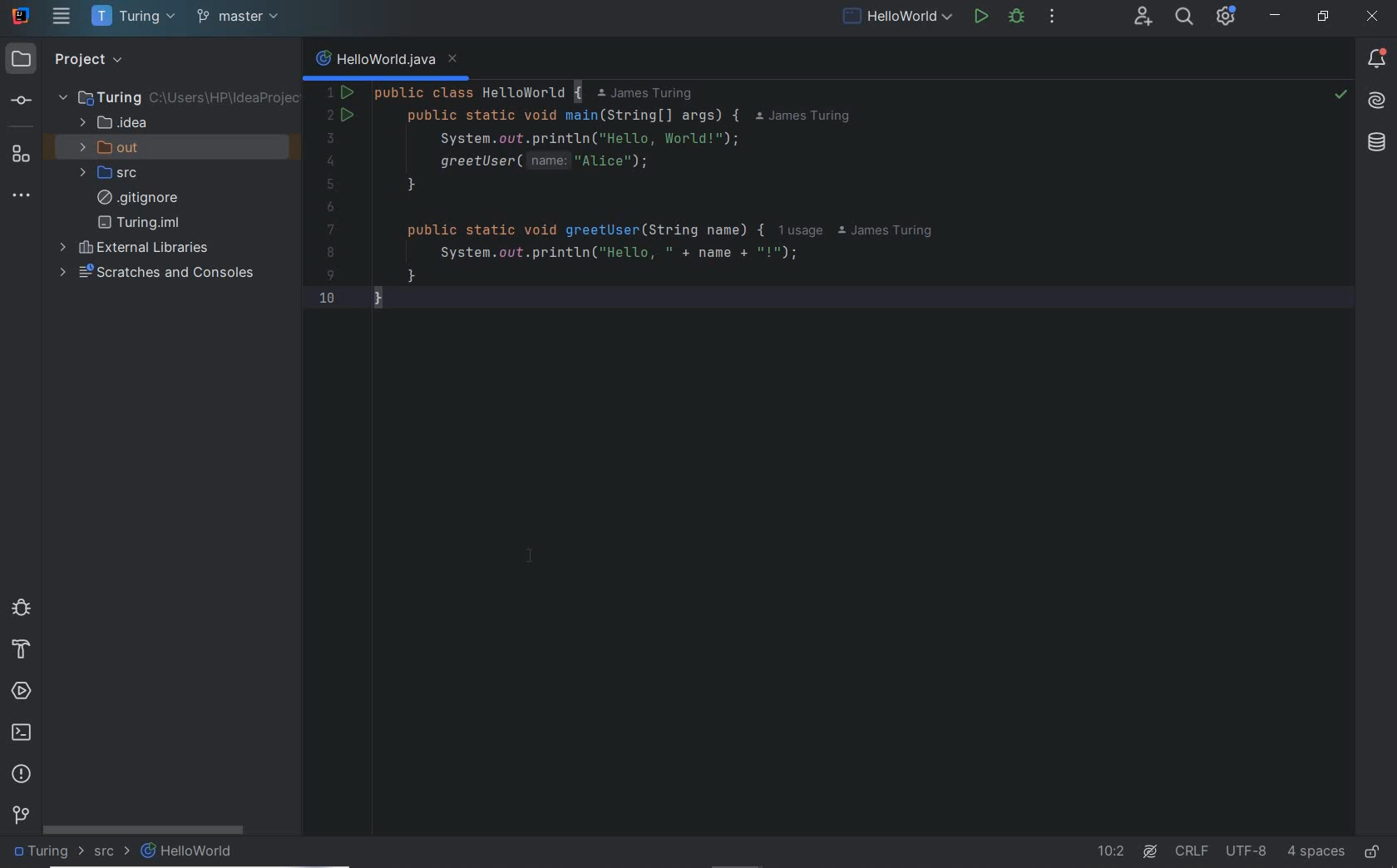 The width and height of the screenshot is (1397, 868). What do you see at coordinates (19, 606) in the screenshot?
I see `debug` at bounding box center [19, 606].